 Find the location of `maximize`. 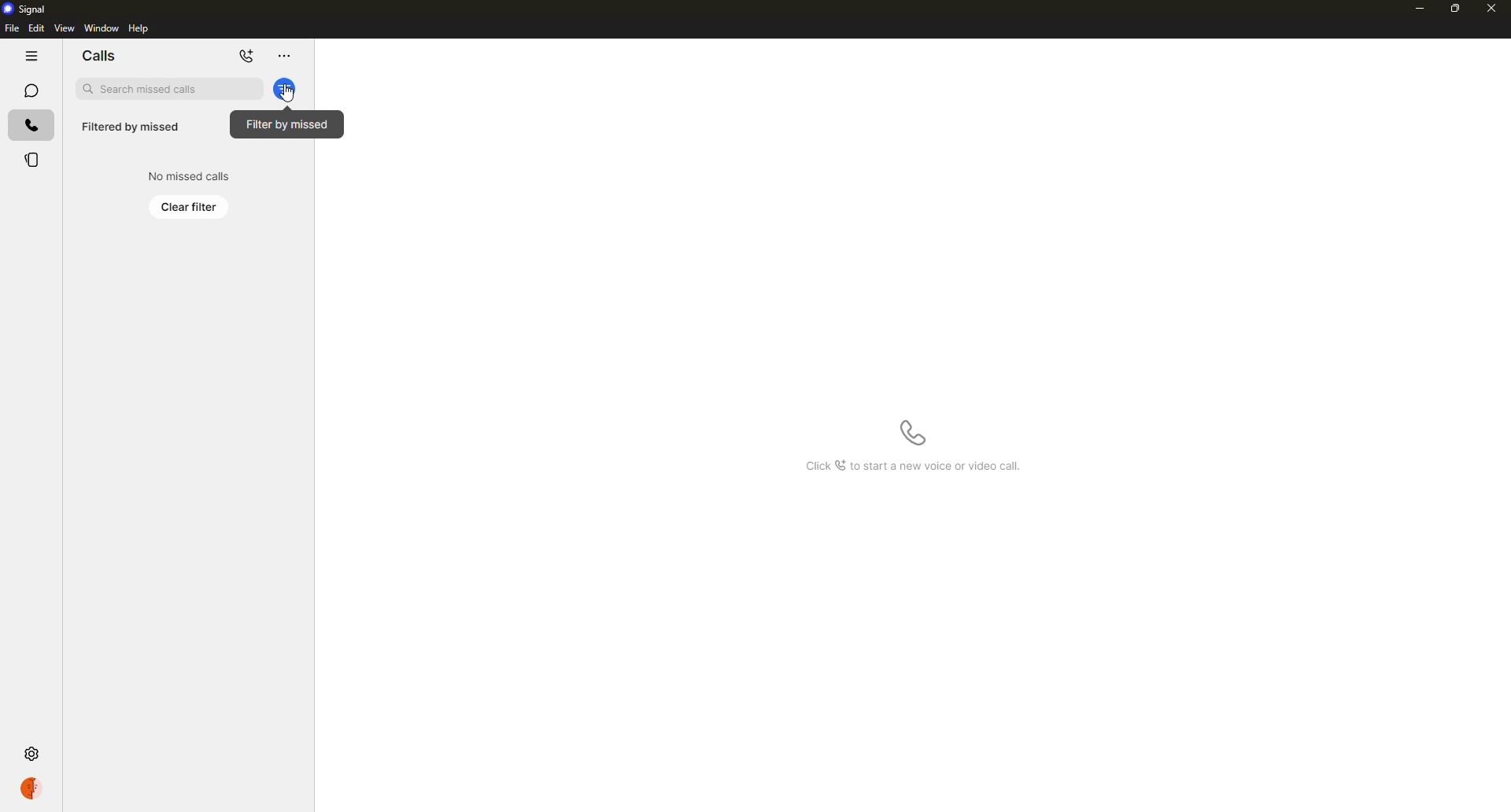

maximize is located at coordinates (1456, 9).